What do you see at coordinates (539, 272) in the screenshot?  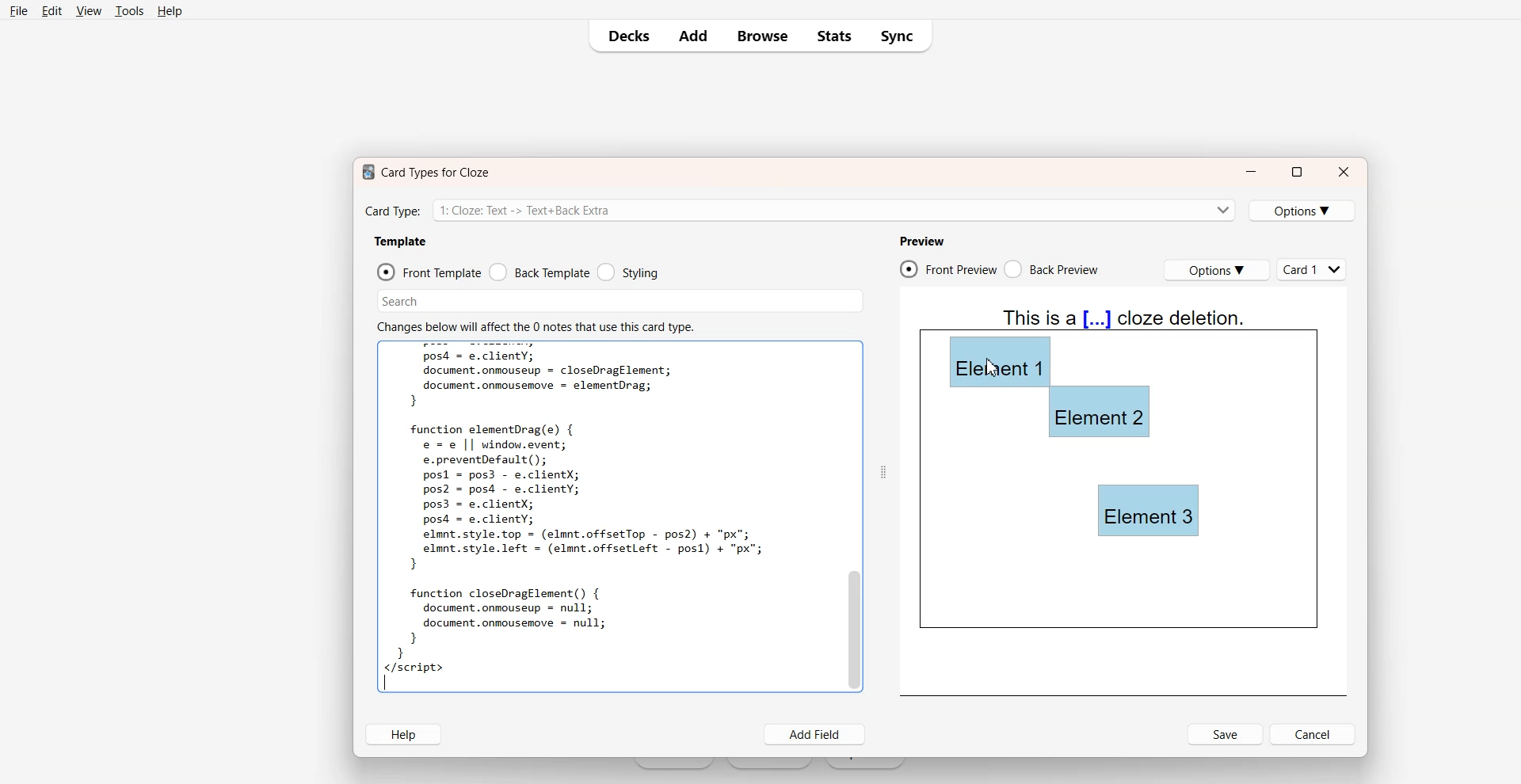 I see `Back Template` at bounding box center [539, 272].